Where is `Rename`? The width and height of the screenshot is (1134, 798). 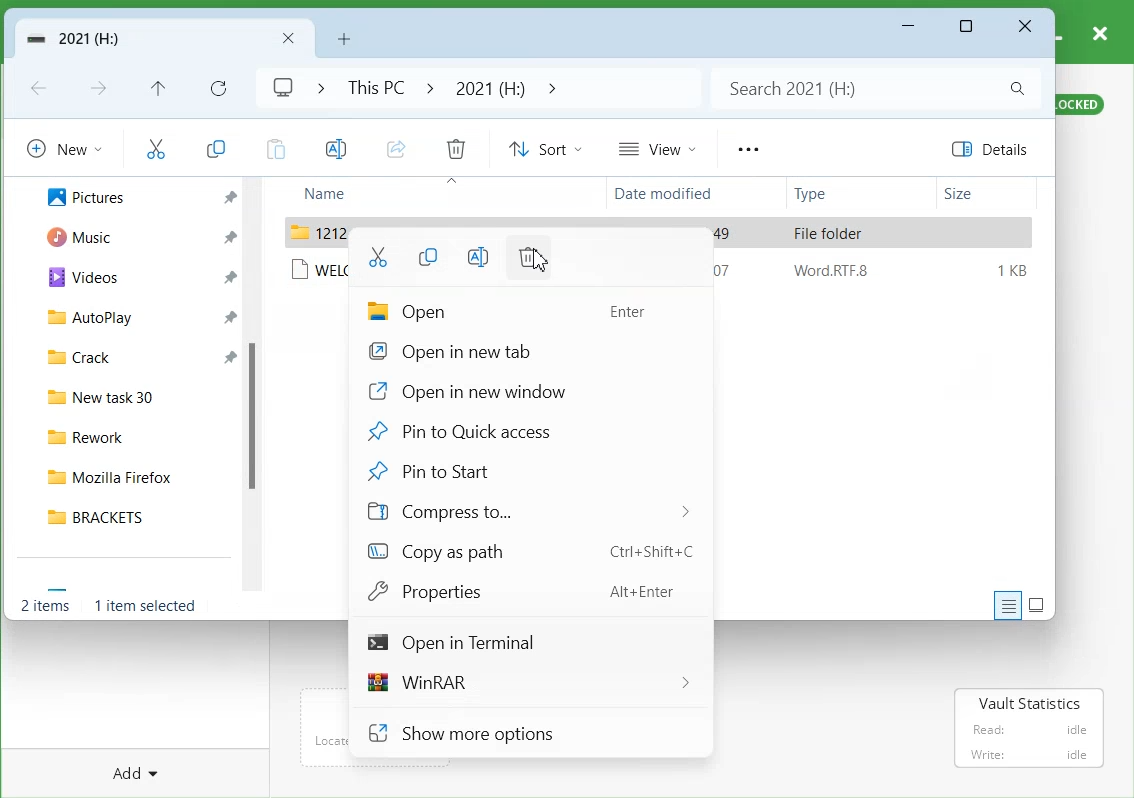
Rename is located at coordinates (334, 148).